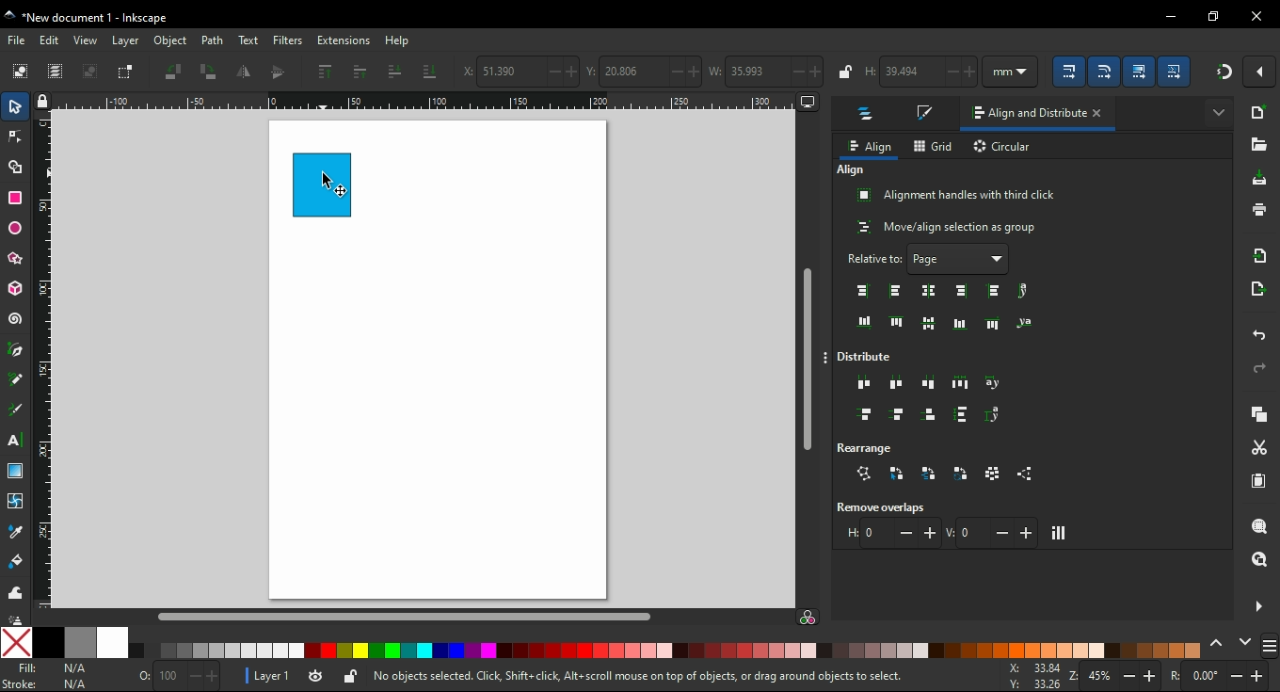 The image size is (1280, 692). What do you see at coordinates (886, 507) in the screenshot?
I see `remove overlaps` at bounding box center [886, 507].